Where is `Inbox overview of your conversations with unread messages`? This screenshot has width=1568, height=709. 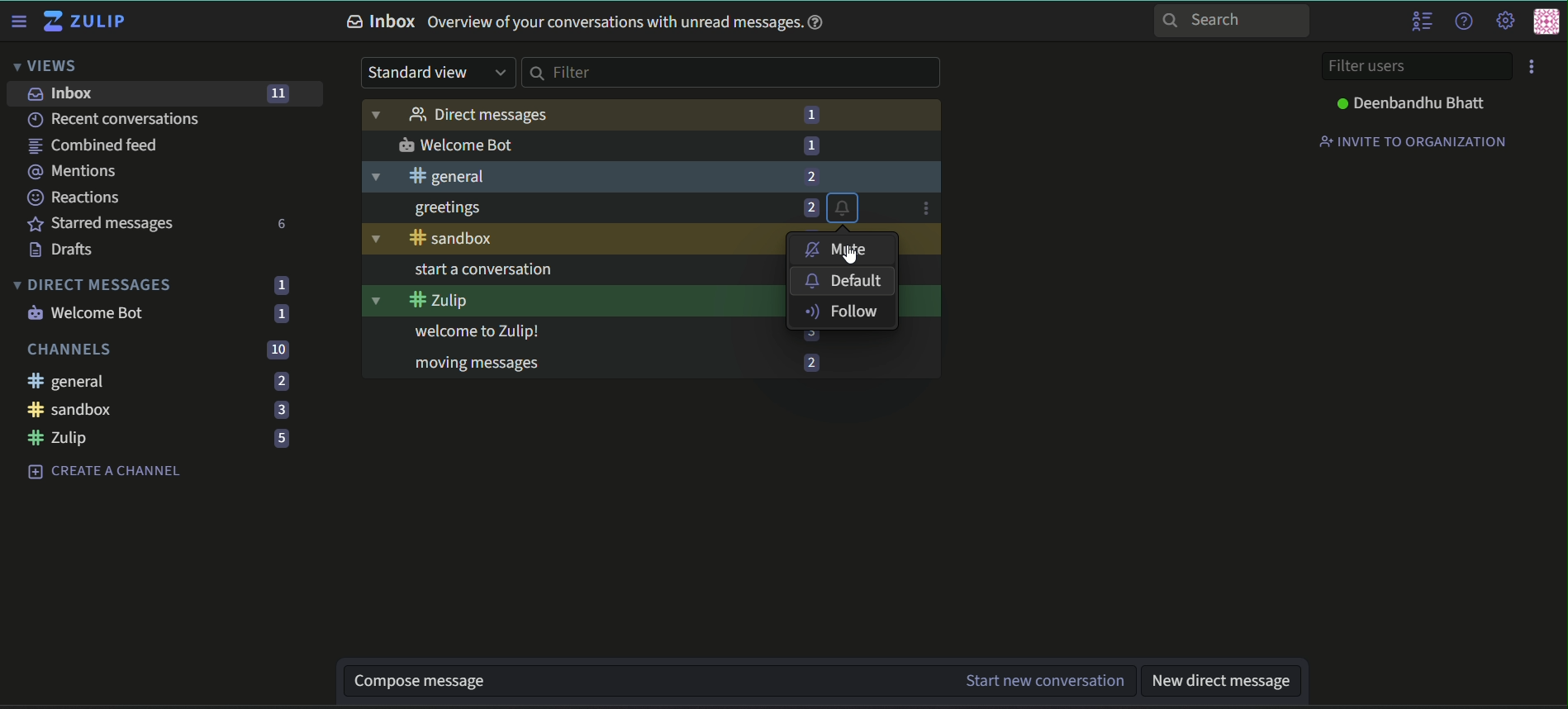 Inbox overview of your conversations with unread messages is located at coordinates (590, 23).